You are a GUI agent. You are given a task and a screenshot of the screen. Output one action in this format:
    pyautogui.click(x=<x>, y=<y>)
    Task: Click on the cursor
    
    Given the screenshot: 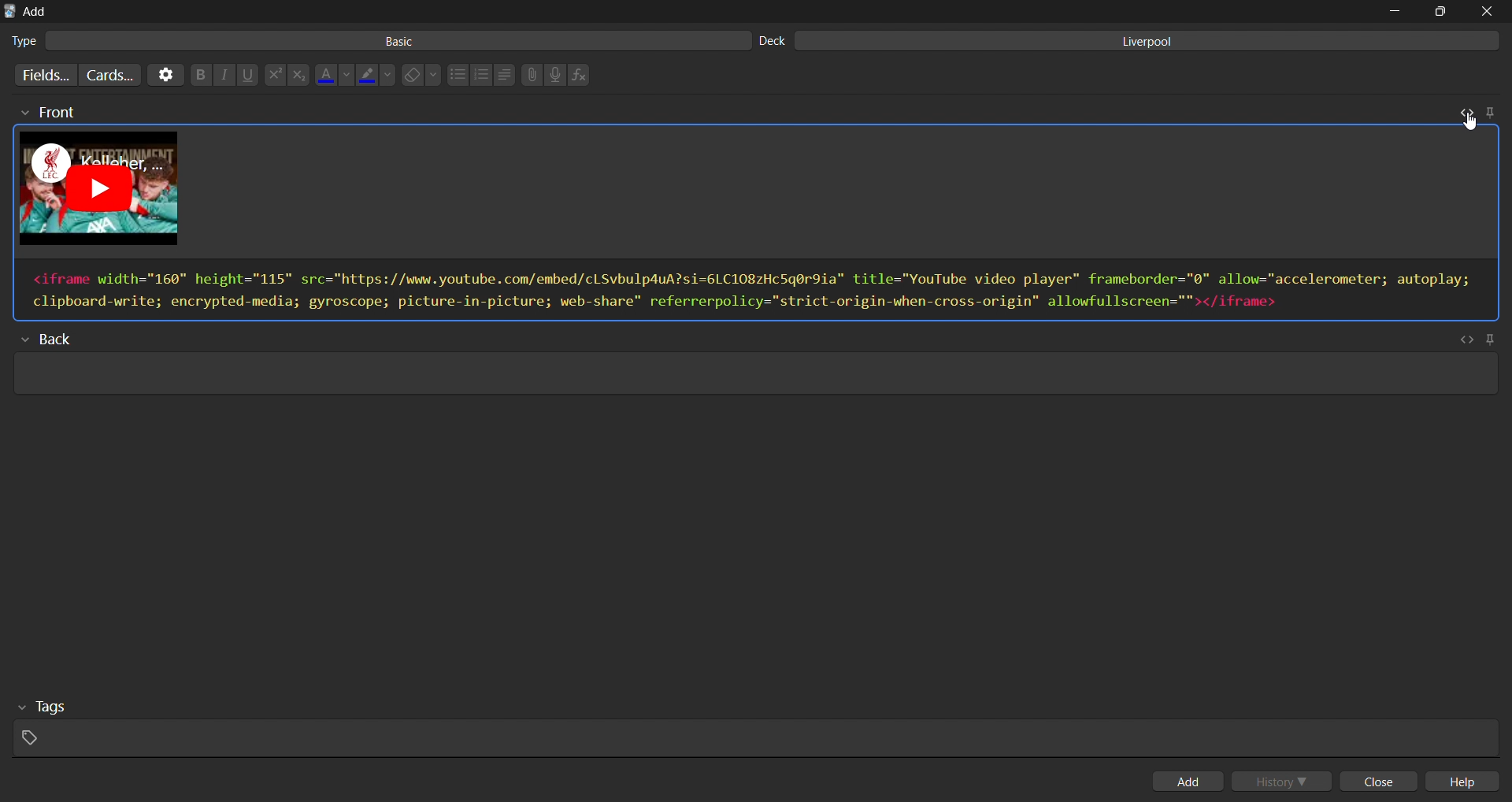 What is the action you would take?
    pyautogui.click(x=1466, y=121)
    